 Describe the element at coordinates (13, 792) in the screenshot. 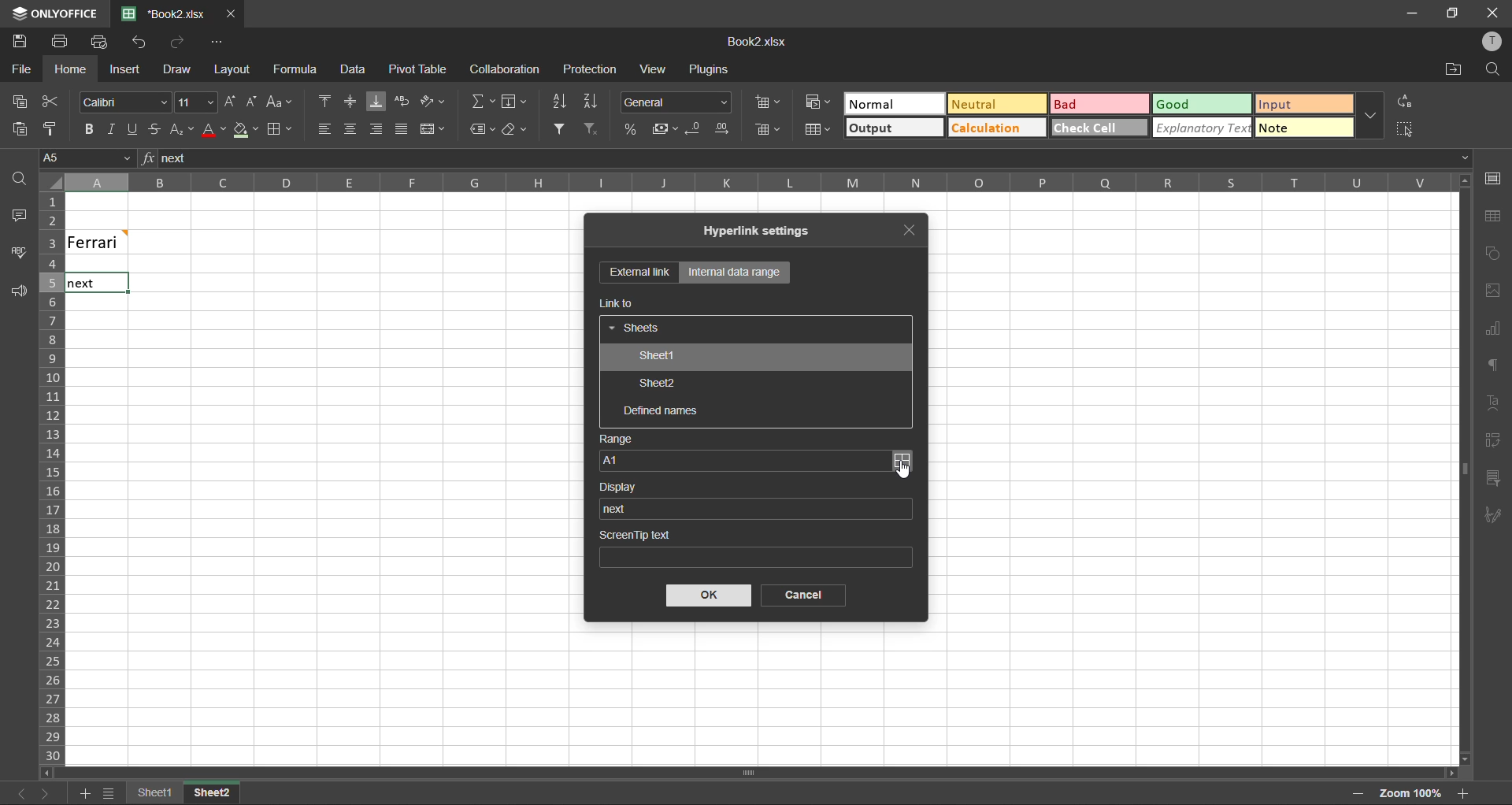

I see `previous` at that location.